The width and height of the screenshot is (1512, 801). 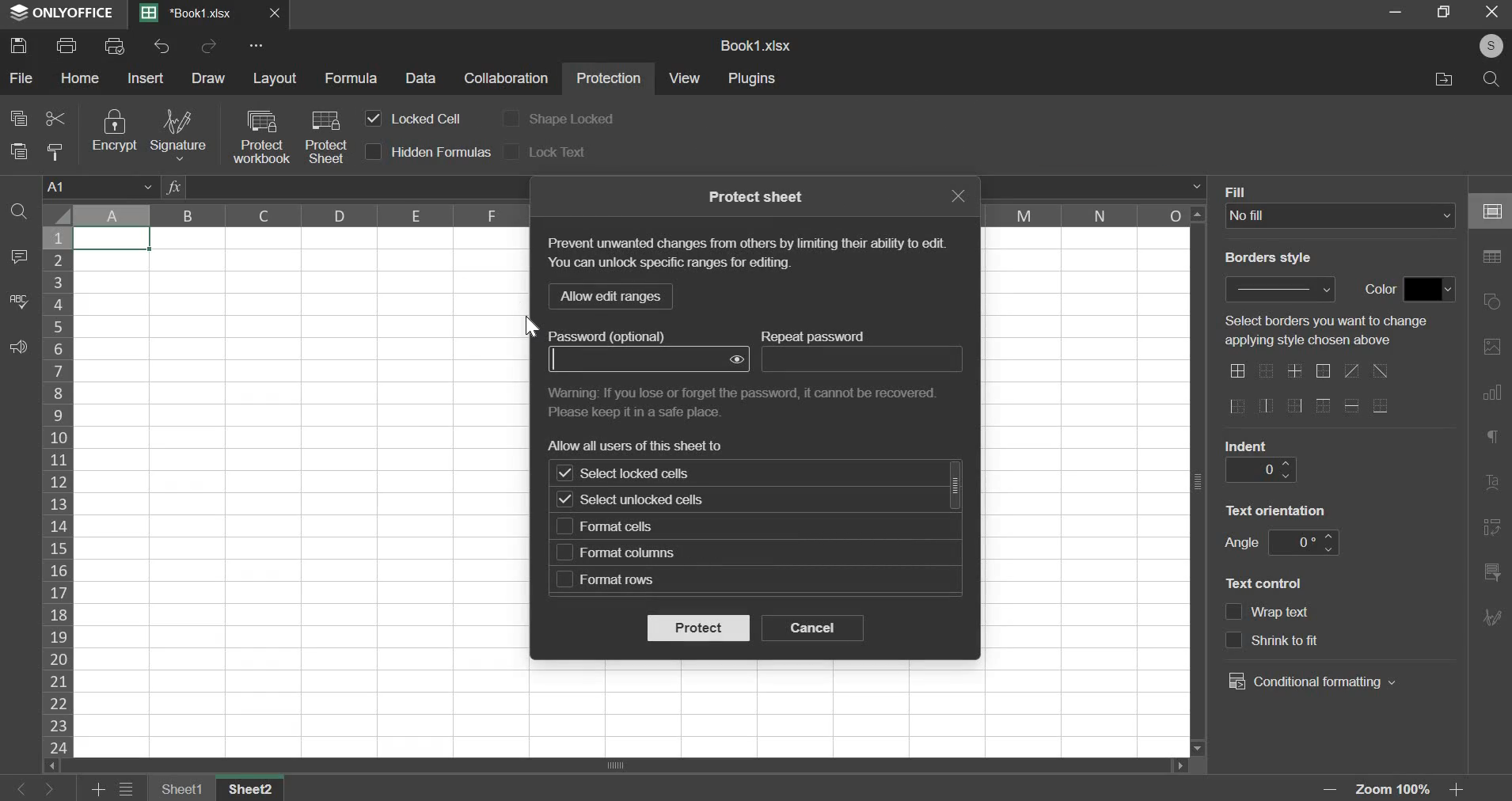 I want to click on column, so click(x=1089, y=214).